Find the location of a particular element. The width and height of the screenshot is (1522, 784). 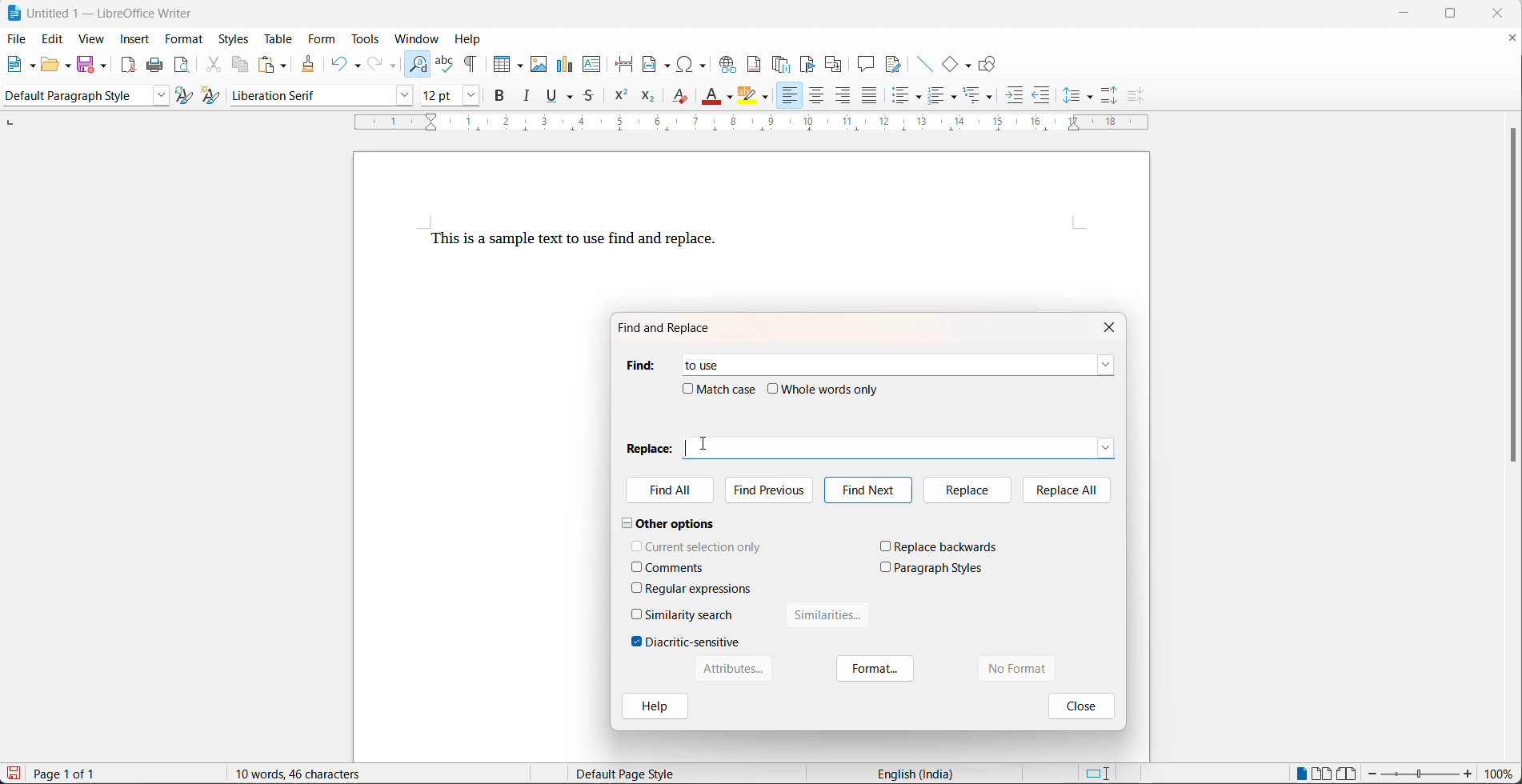

paragraph style is located at coordinates (73, 96).